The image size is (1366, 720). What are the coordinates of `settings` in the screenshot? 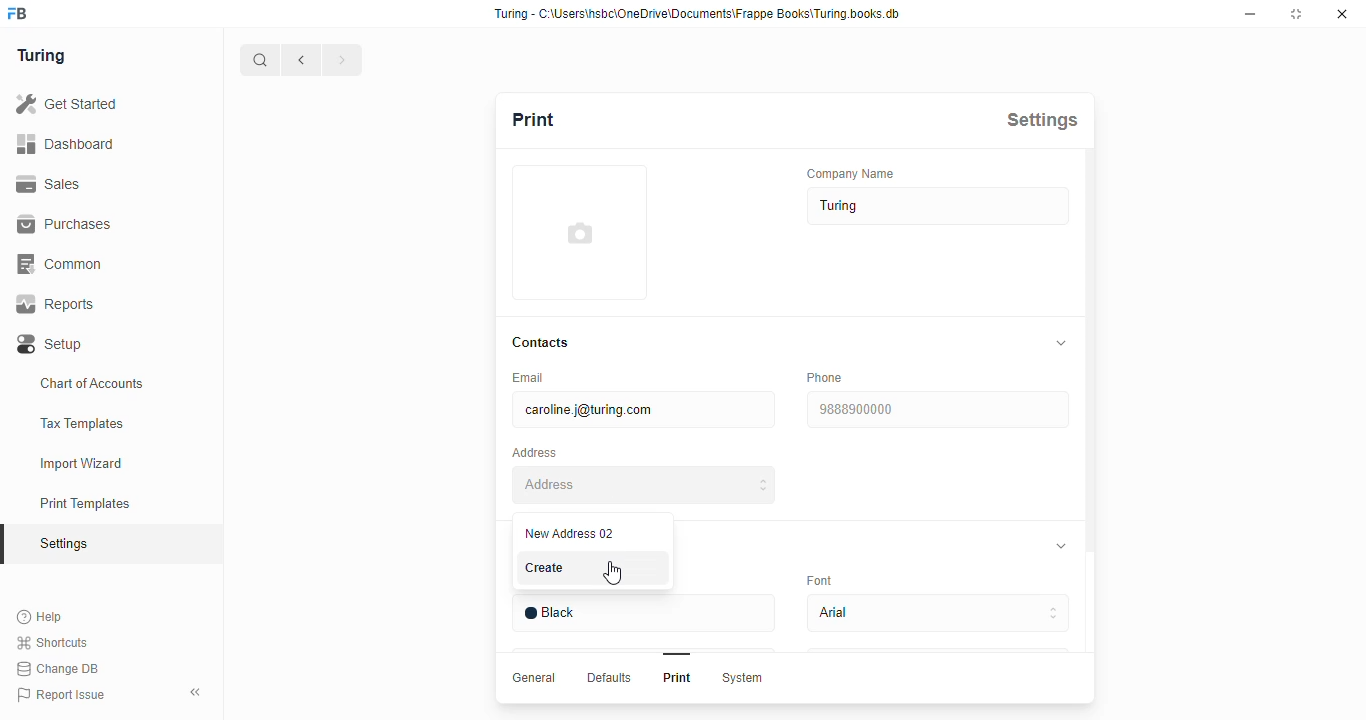 It's located at (66, 545).